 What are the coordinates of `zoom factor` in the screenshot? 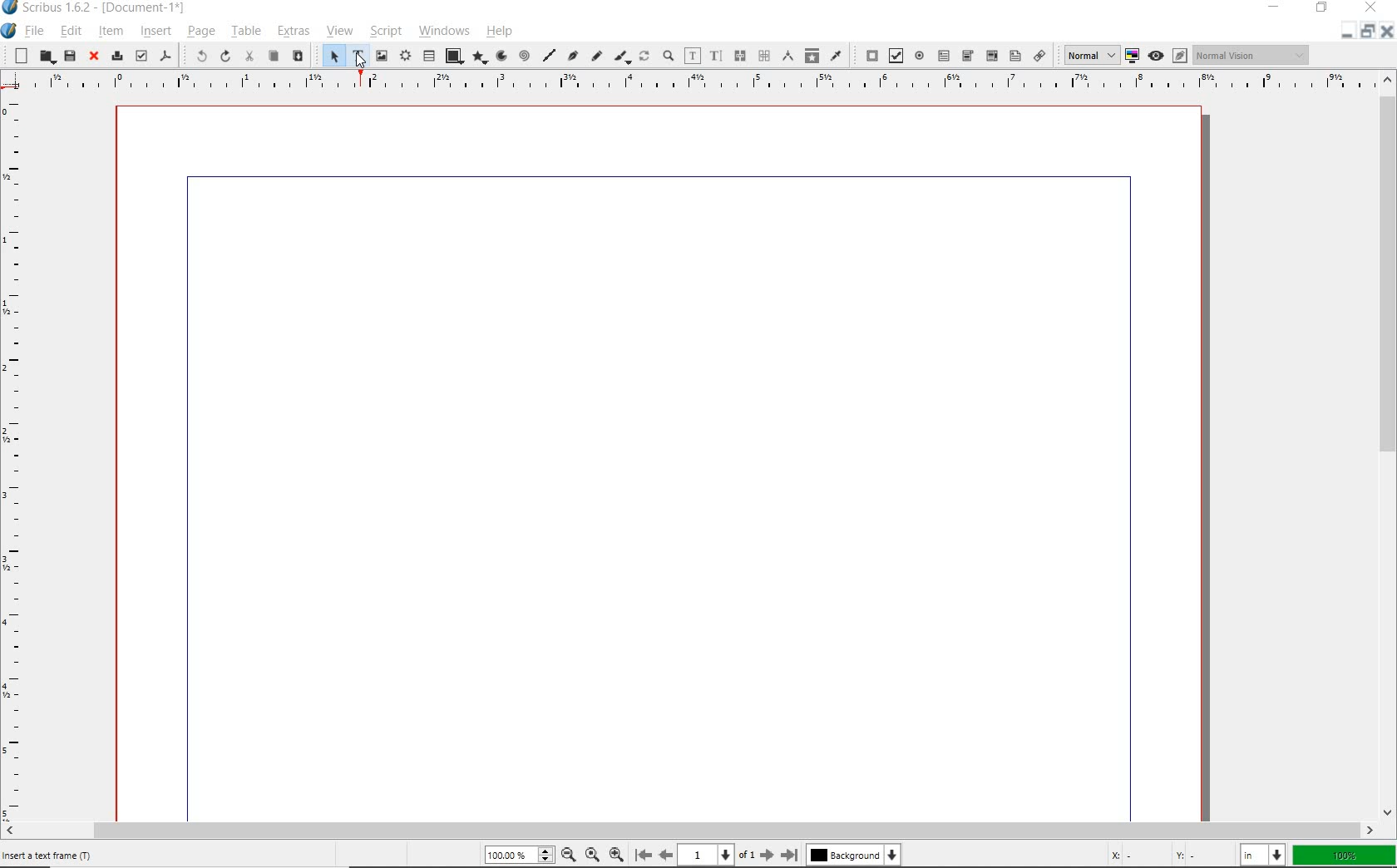 It's located at (1345, 855).